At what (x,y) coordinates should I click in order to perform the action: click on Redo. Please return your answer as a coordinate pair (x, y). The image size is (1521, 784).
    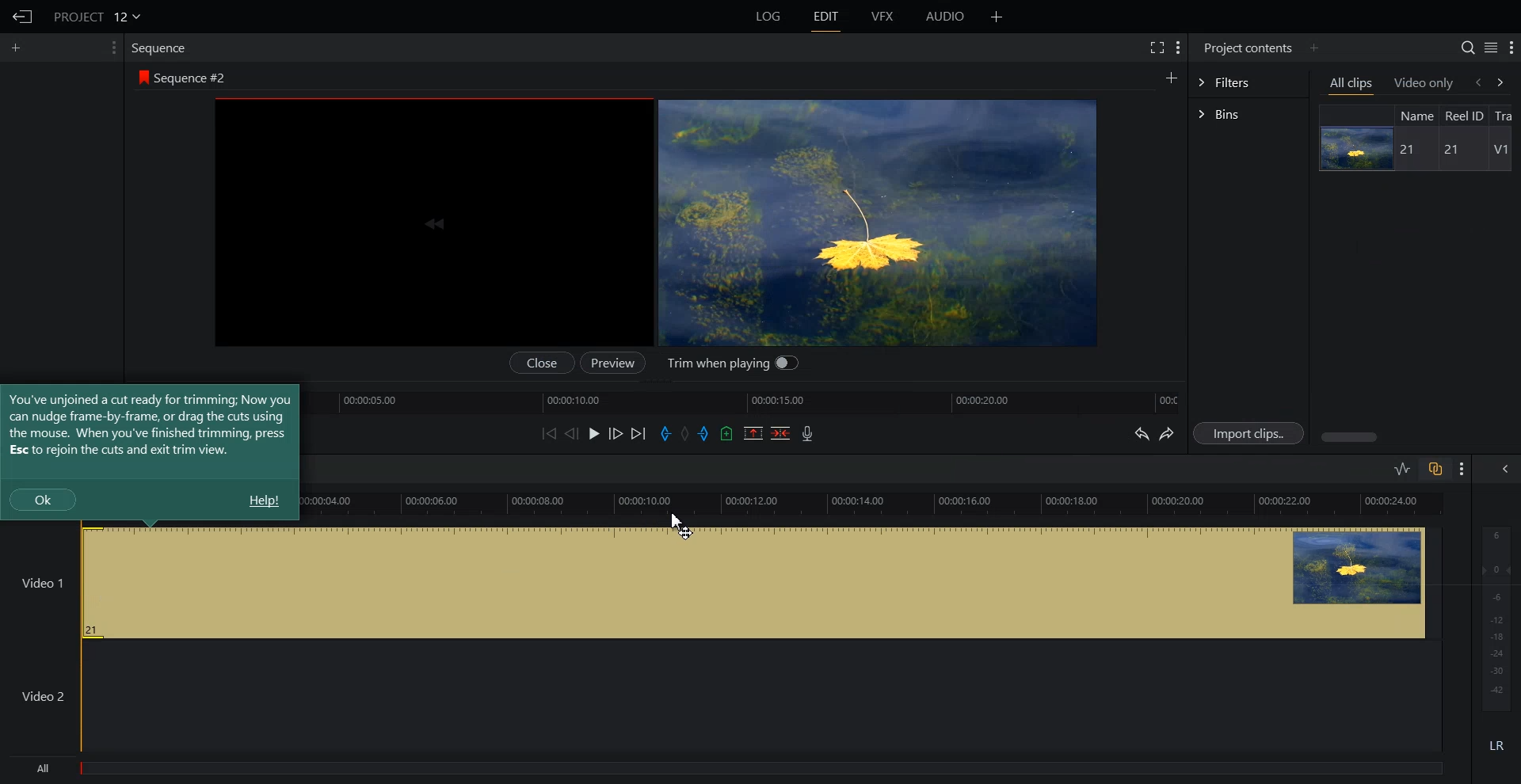
    Looking at the image, I should click on (1167, 433).